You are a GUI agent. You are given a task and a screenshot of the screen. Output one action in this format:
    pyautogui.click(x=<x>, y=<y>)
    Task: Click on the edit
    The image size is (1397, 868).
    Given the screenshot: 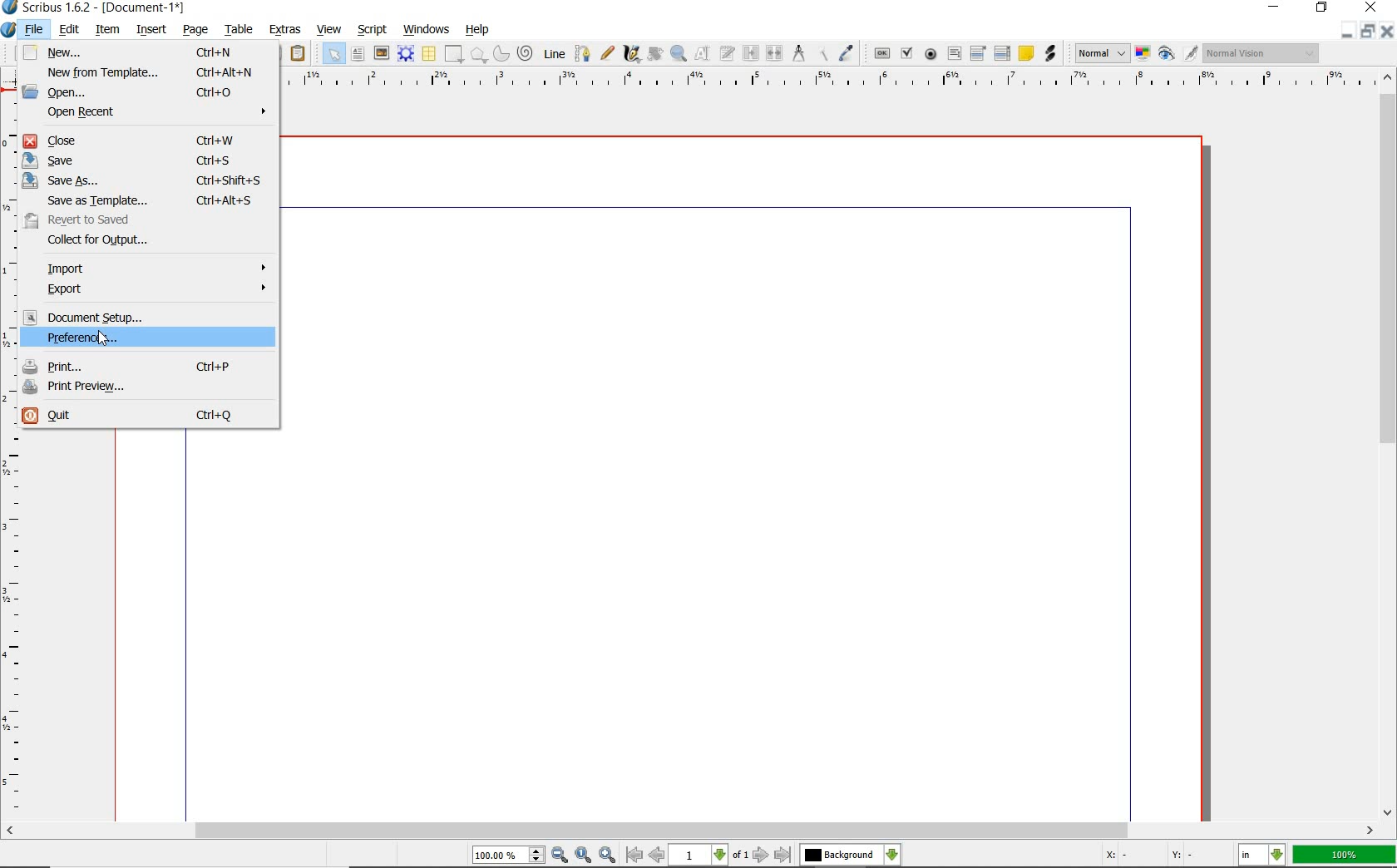 What is the action you would take?
    pyautogui.click(x=71, y=29)
    